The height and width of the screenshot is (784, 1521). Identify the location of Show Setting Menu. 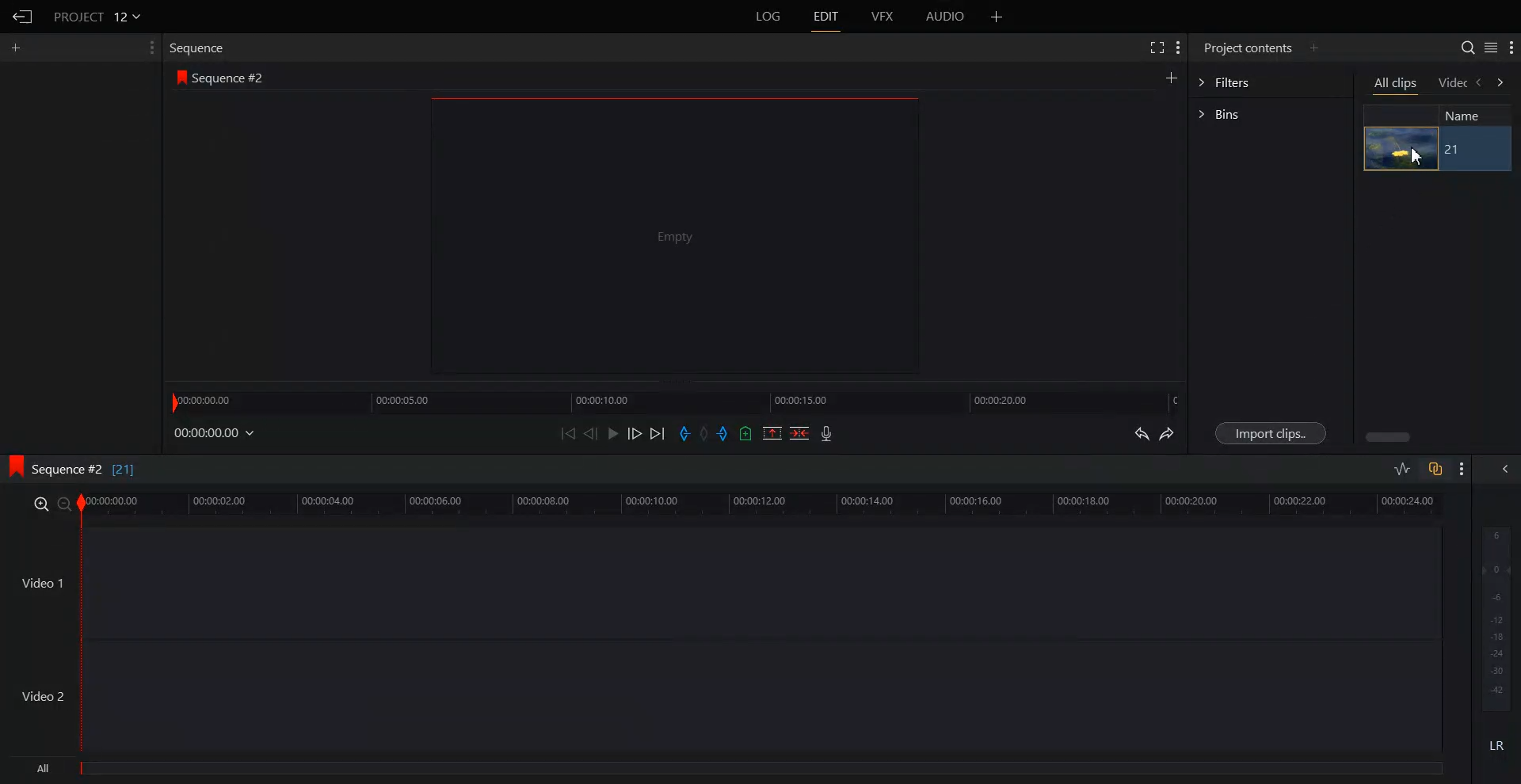
(1460, 470).